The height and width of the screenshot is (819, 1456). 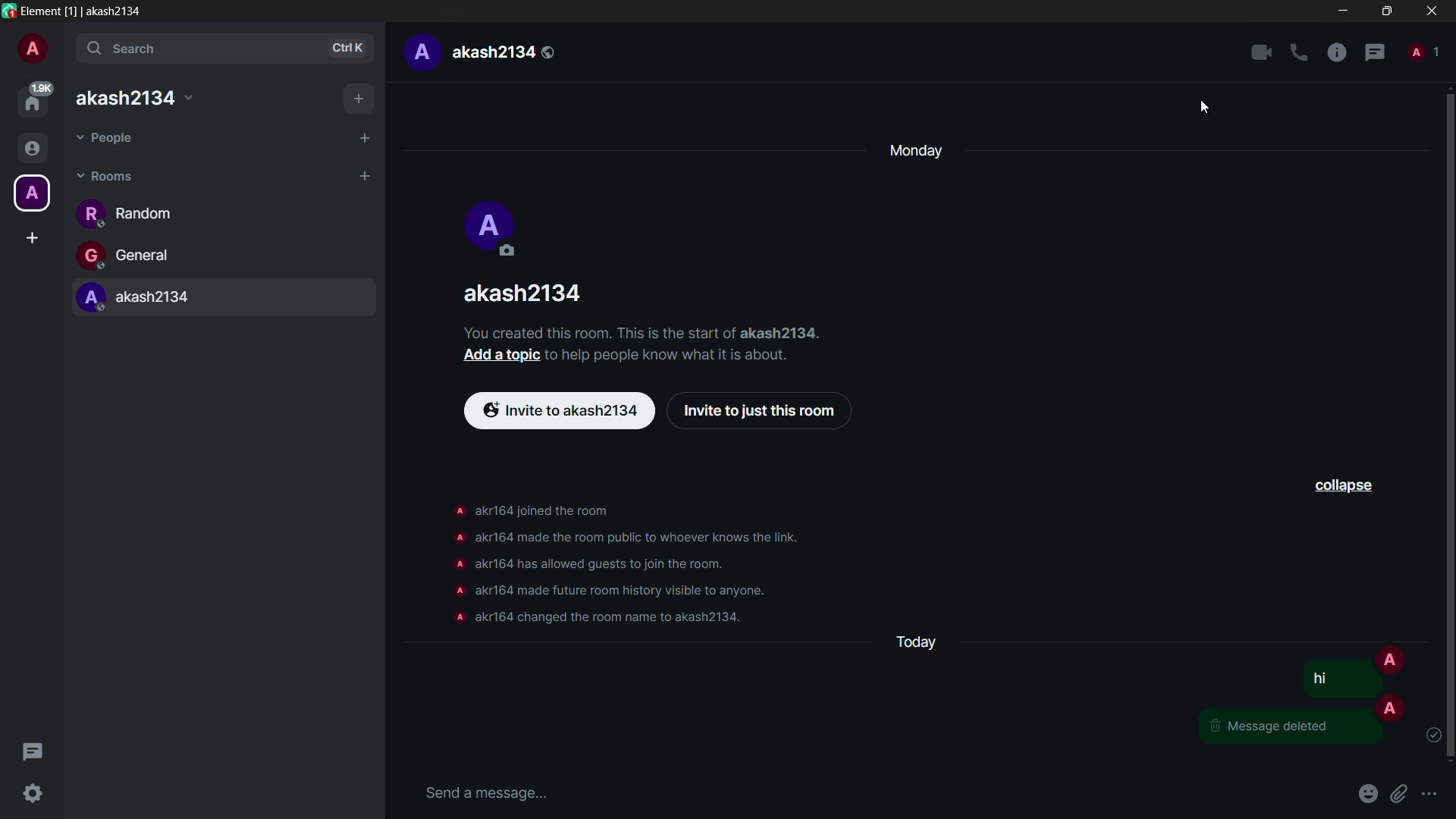 What do you see at coordinates (1337, 54) in the screenshot?
I see `room info` at bounding box center [1337, 54].